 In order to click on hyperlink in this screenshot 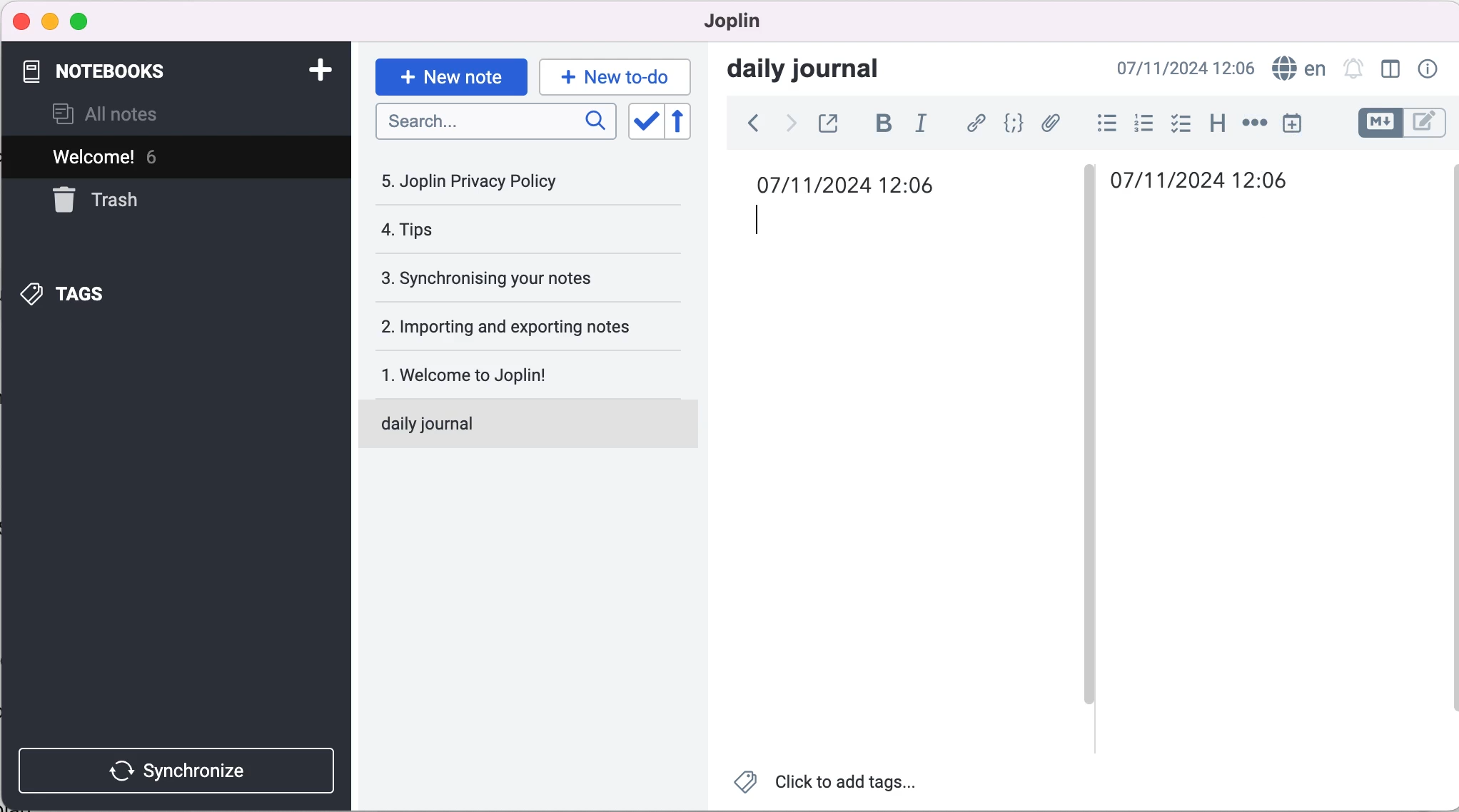, I will do `click(972, 123)`.